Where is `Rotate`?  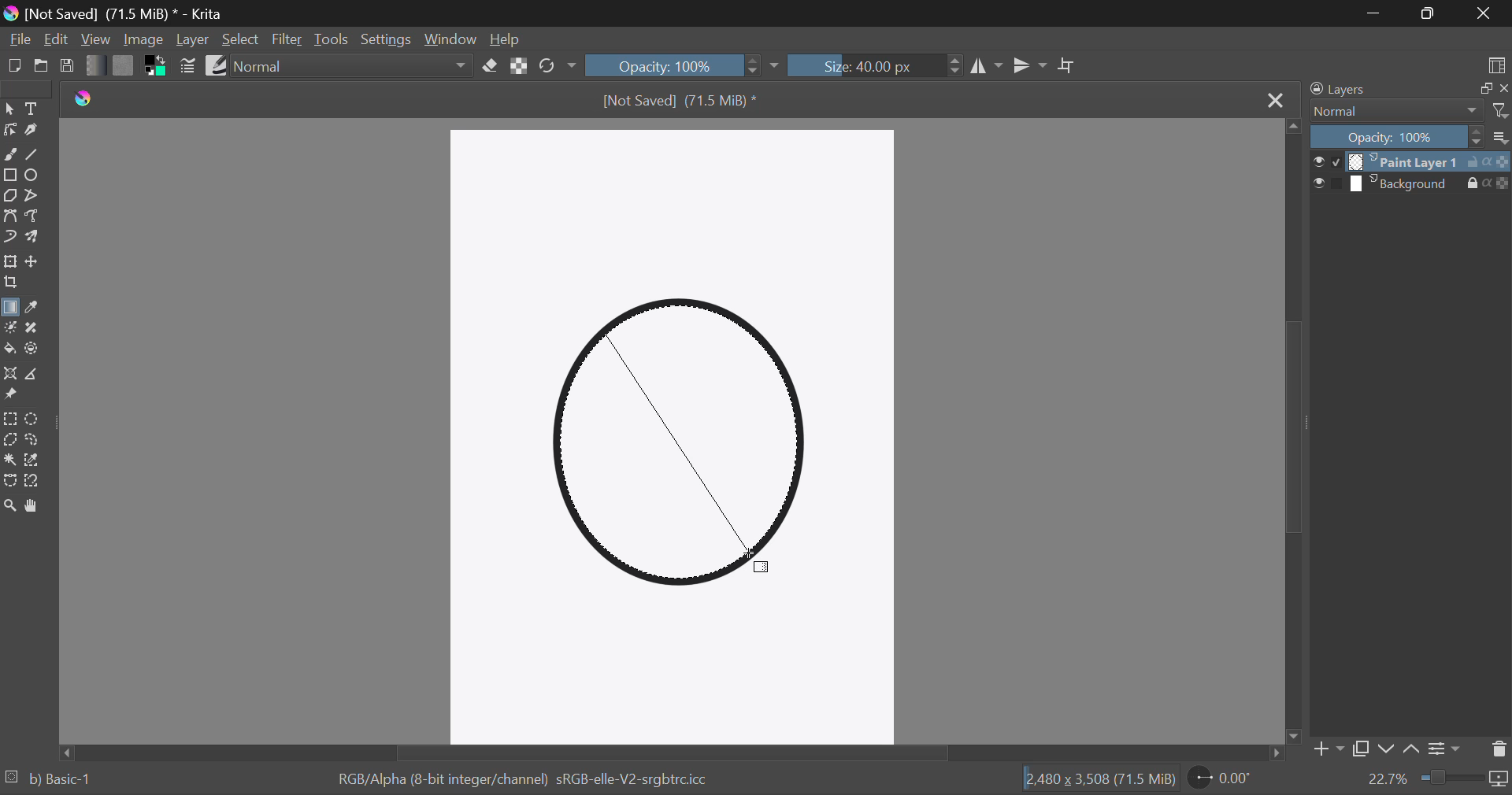 Rotate is located at coordinates (556, 65).